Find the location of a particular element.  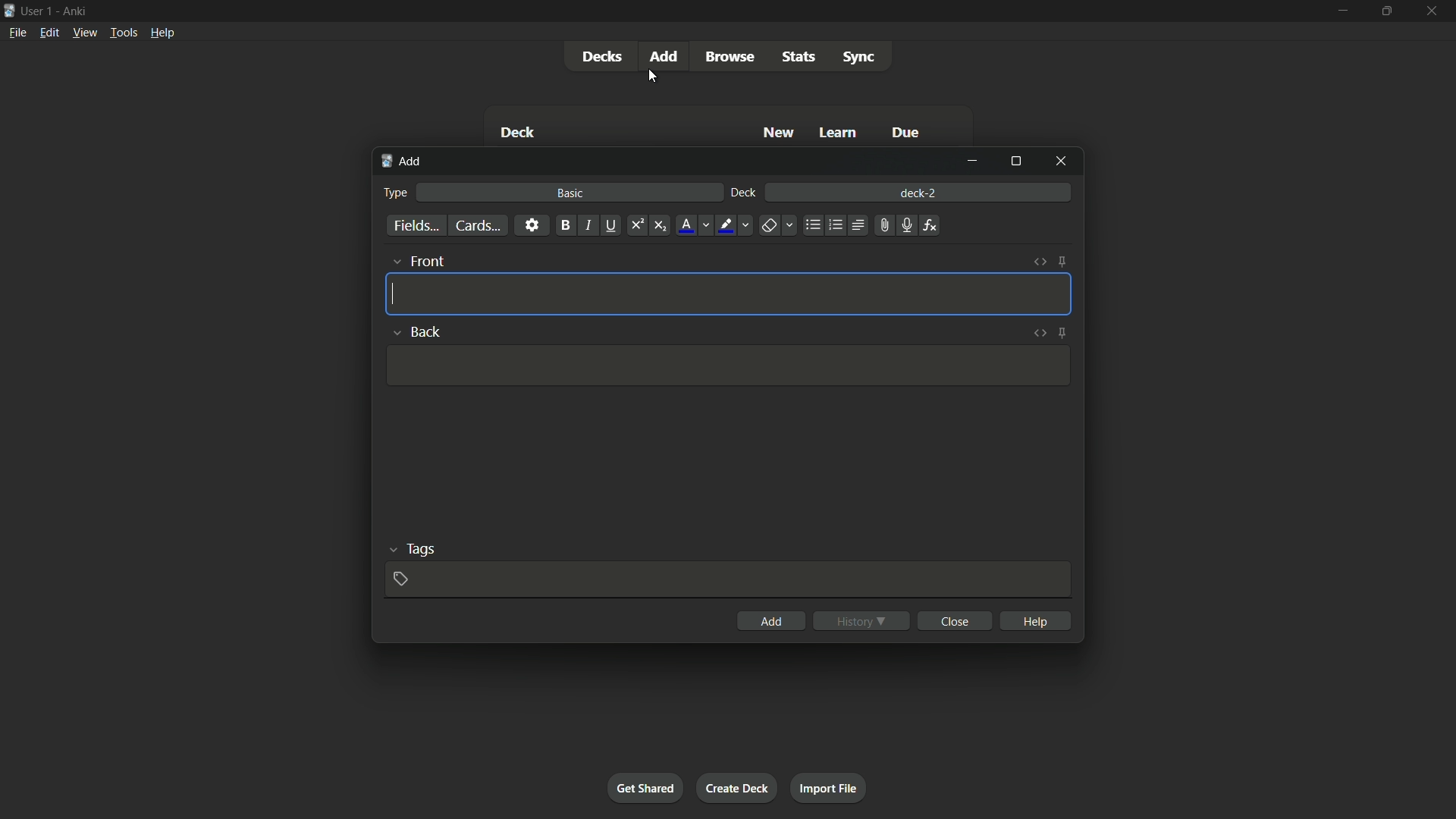

help is located at coordinates (1034, 620).